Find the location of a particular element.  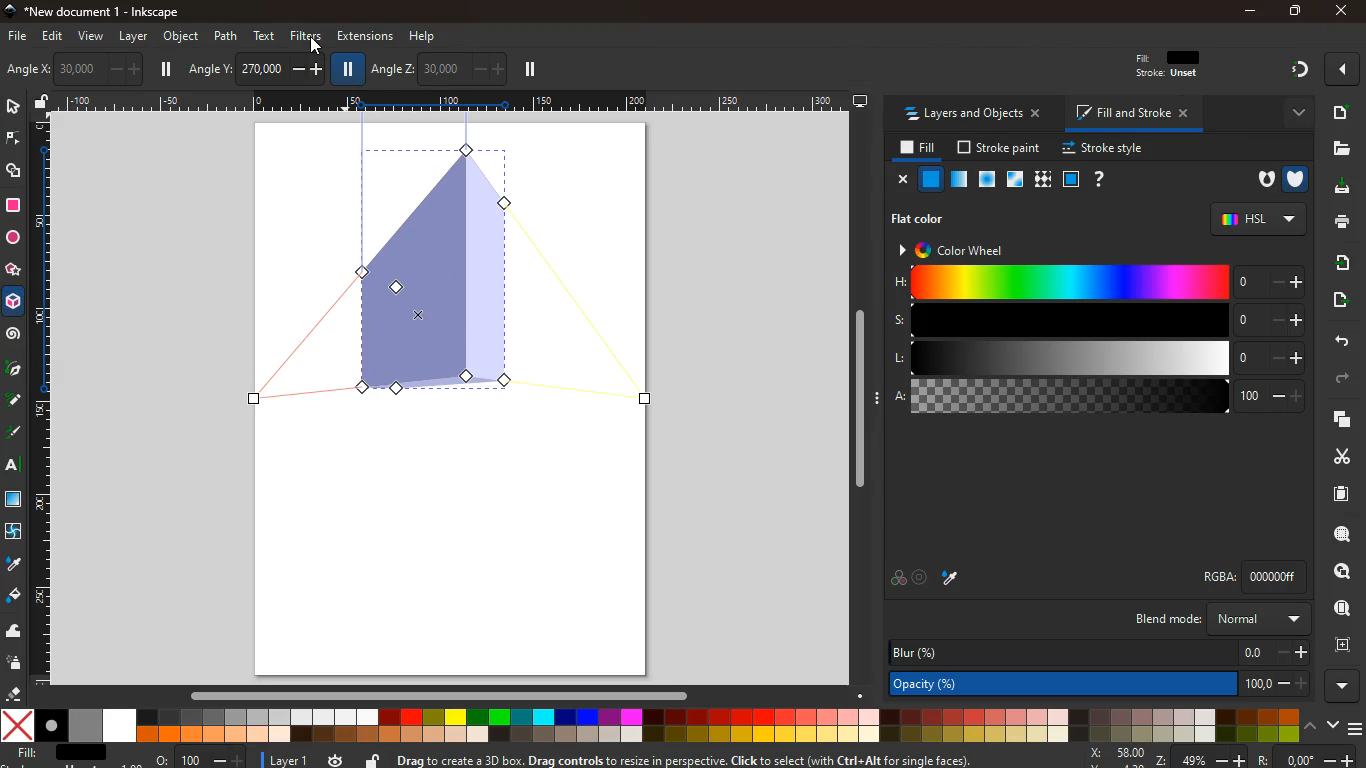

angle x is located at coordinates (89, 67).